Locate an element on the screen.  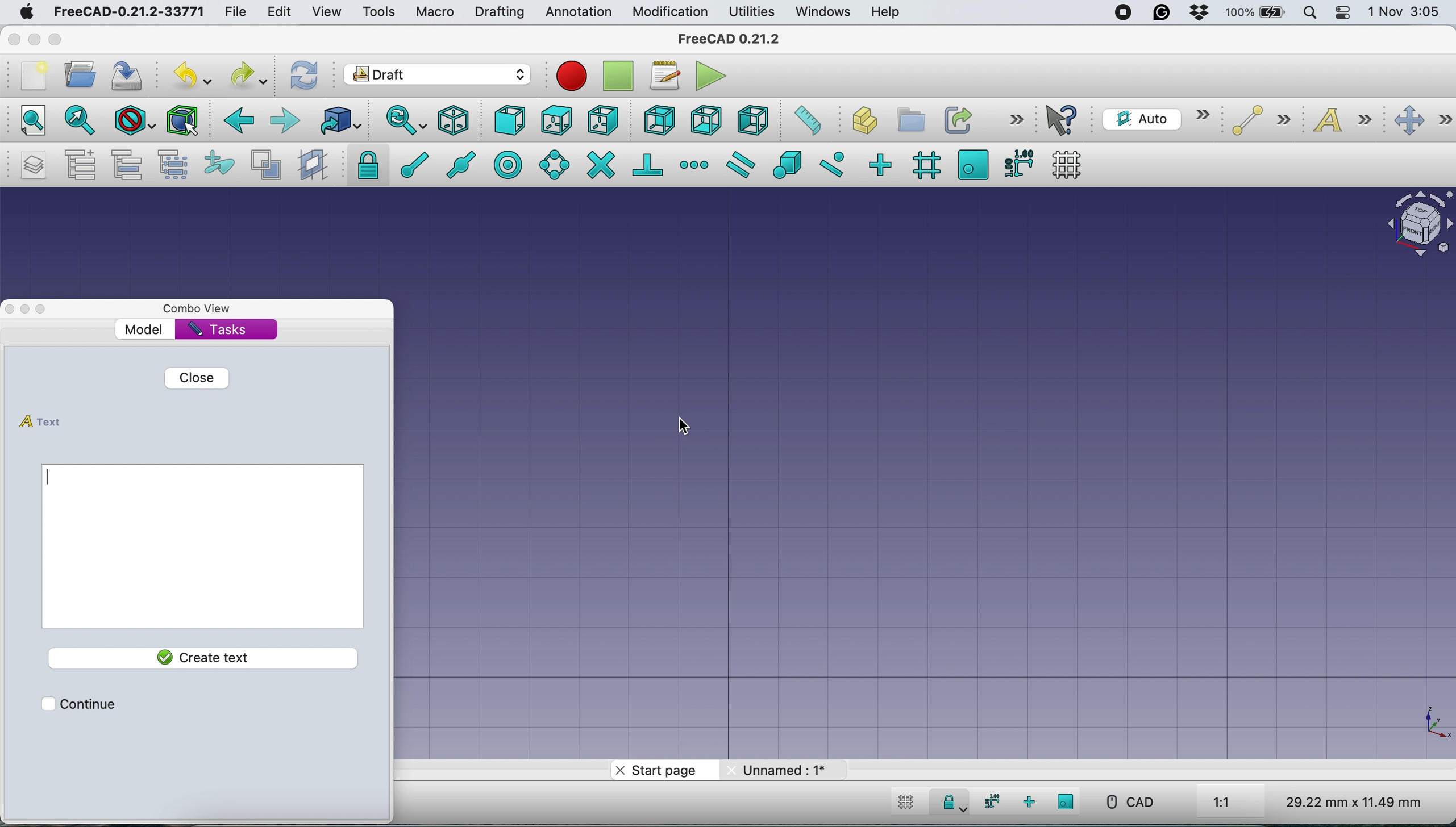
manage layers is located at coordinates (30, 166).